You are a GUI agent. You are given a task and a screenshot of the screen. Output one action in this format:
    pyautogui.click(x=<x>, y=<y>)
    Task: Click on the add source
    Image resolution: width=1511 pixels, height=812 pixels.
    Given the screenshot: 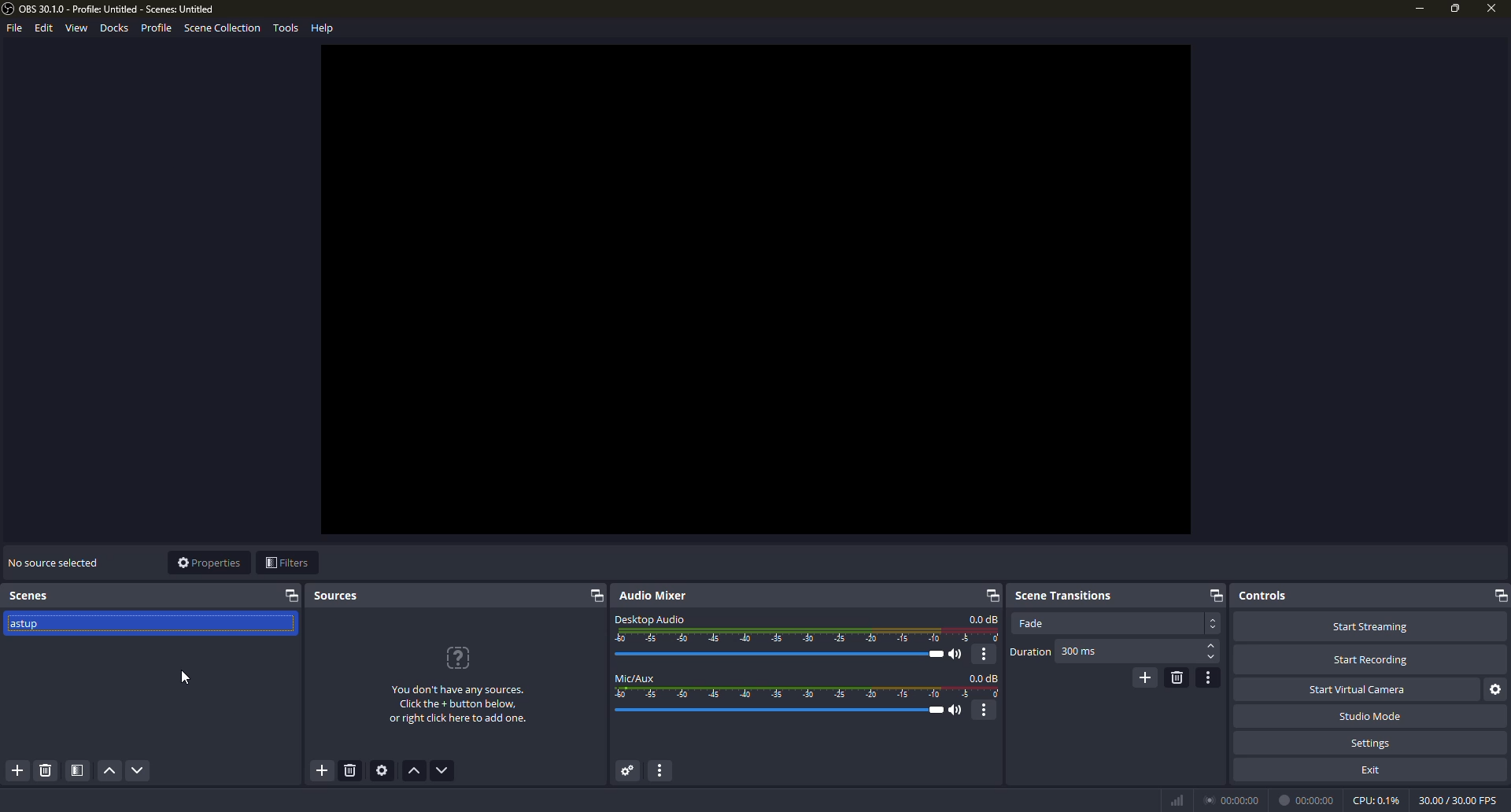 What is the action you would take?
    pyautogui.click(x=321, y=771)
    